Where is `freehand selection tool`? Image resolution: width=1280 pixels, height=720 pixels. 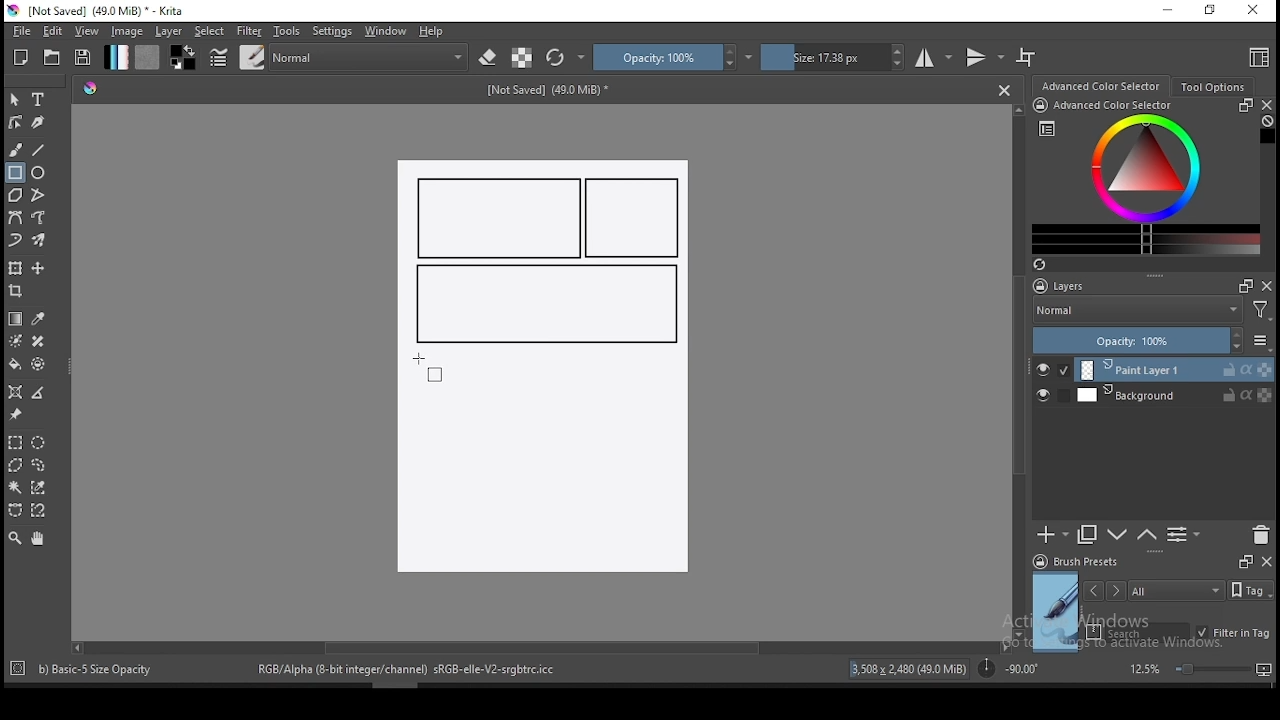
freehand selection tool is located at coordinates (39, 465).